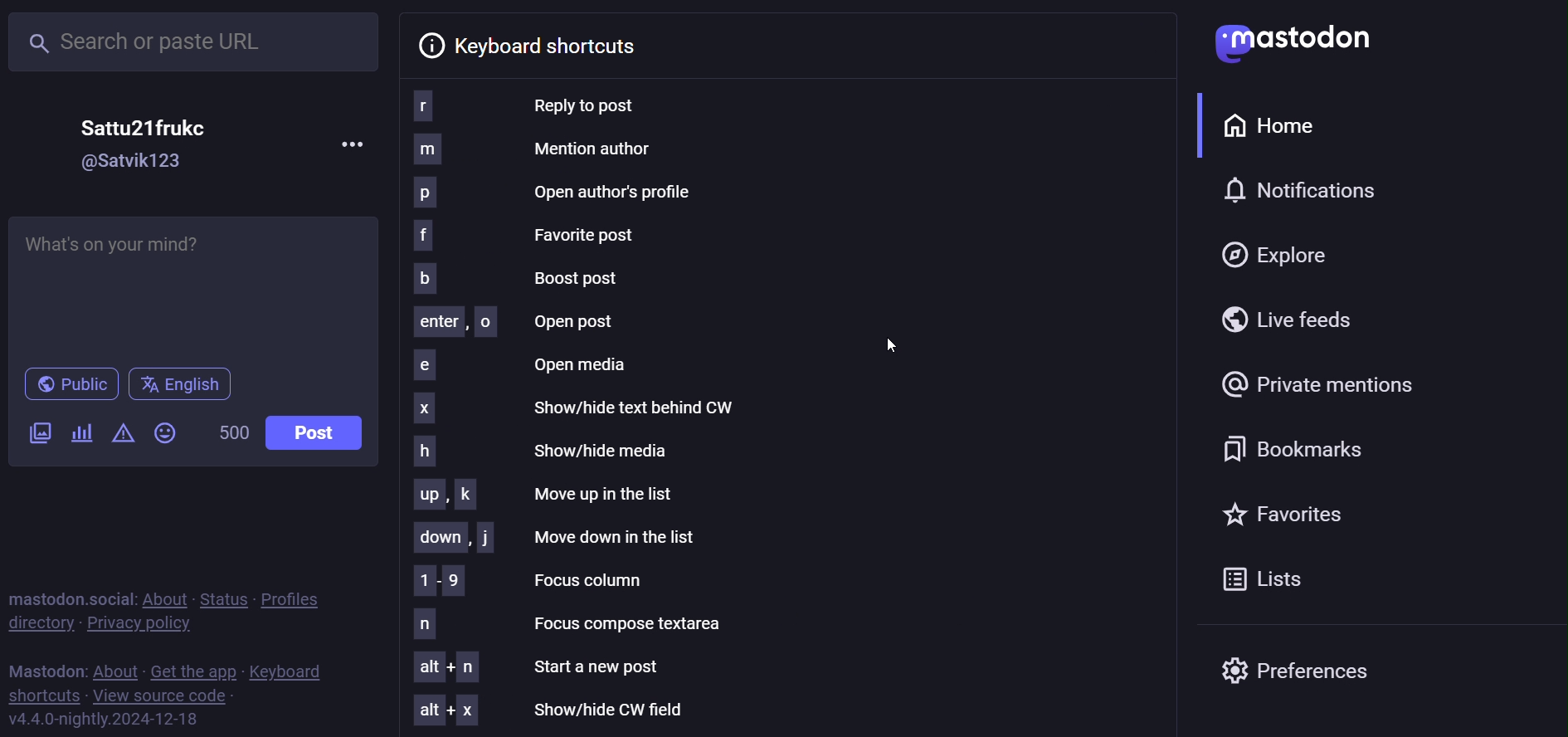 The width and height of the screenshot is (1568, 737). I want to click on Sattu21frukec, so click(147, 122).